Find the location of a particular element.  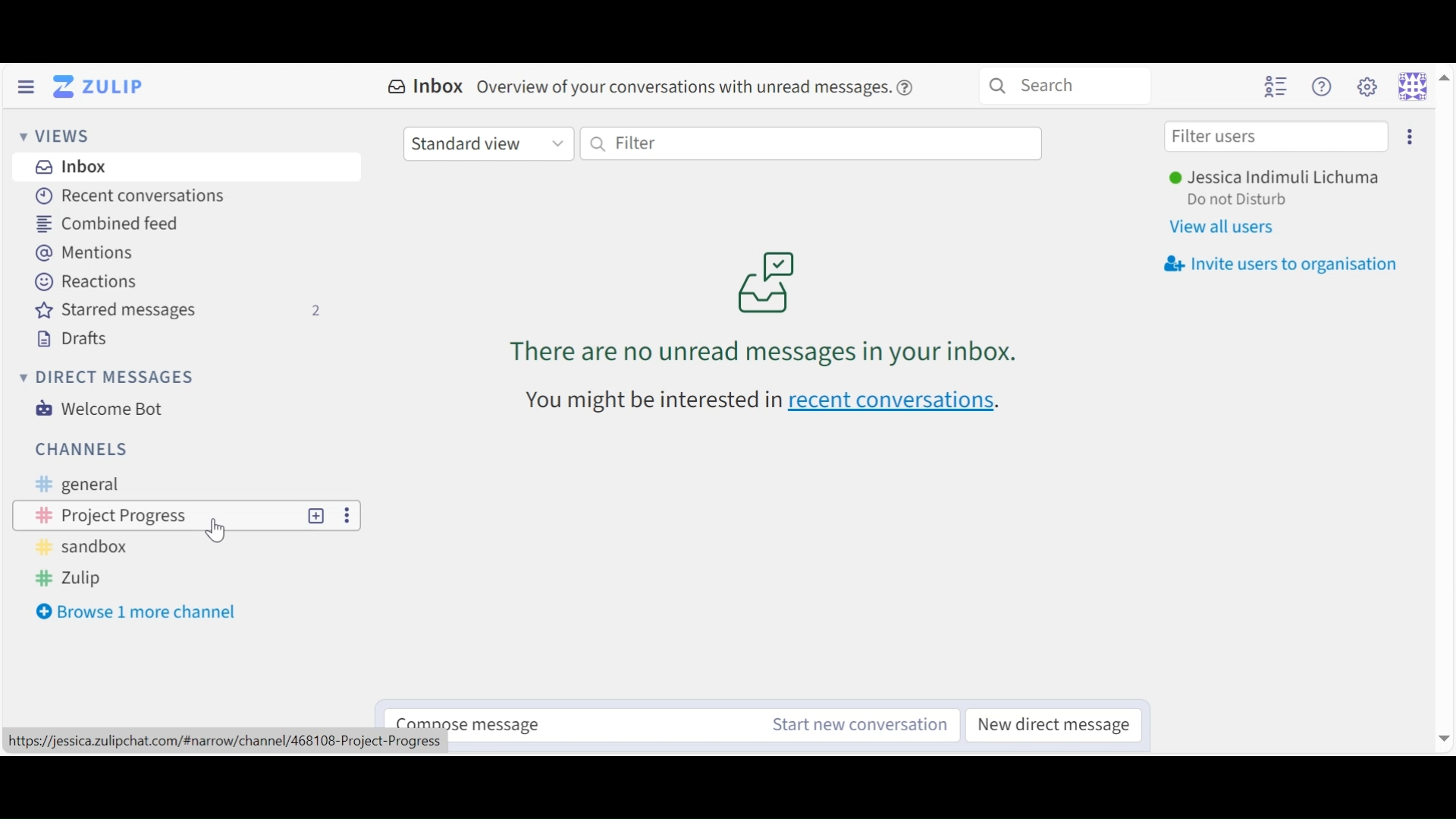

recent conversations is located at coordinates (772, 400).